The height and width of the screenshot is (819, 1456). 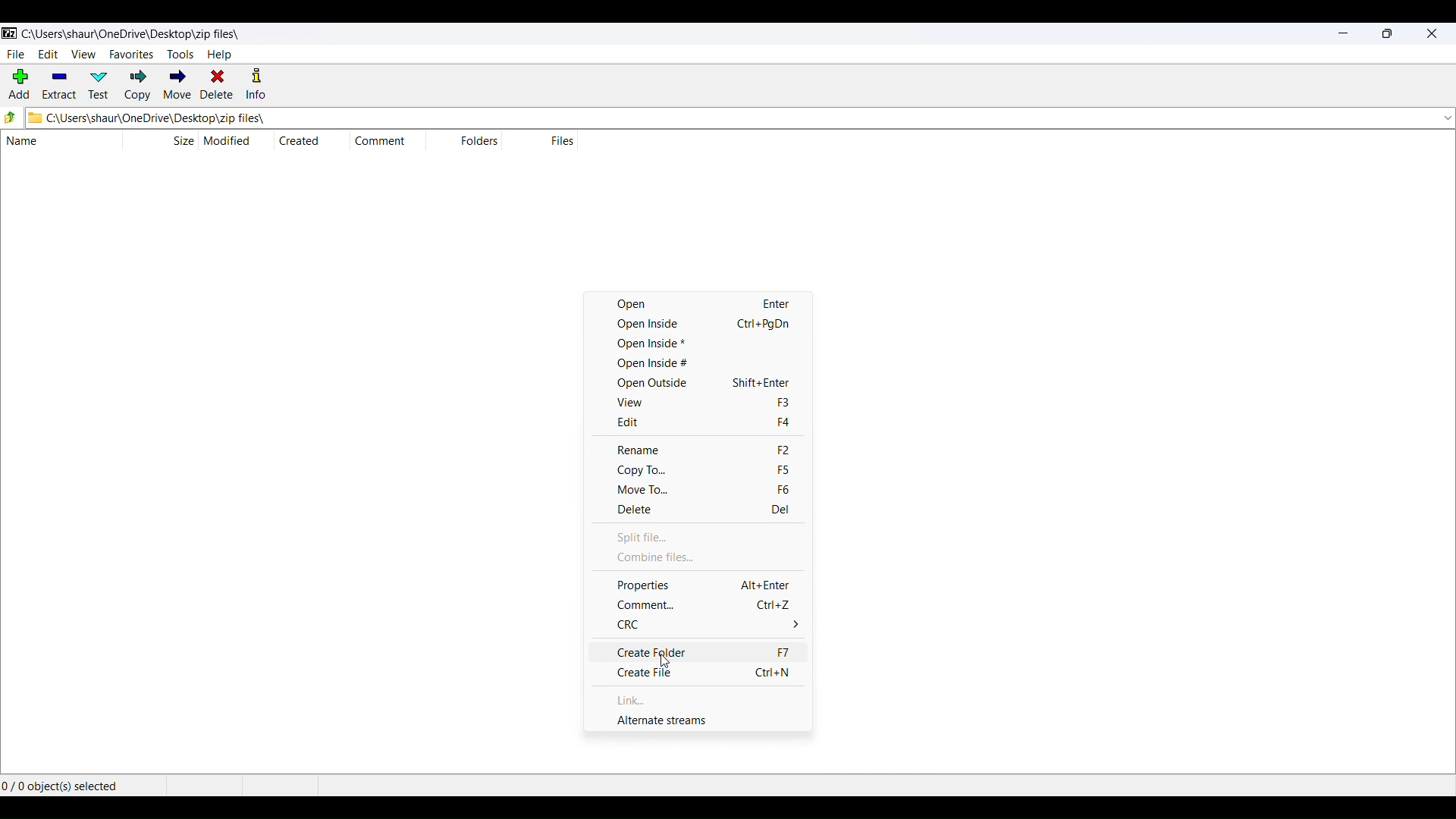 I want to click on CRC, so click(x=712, y=626).